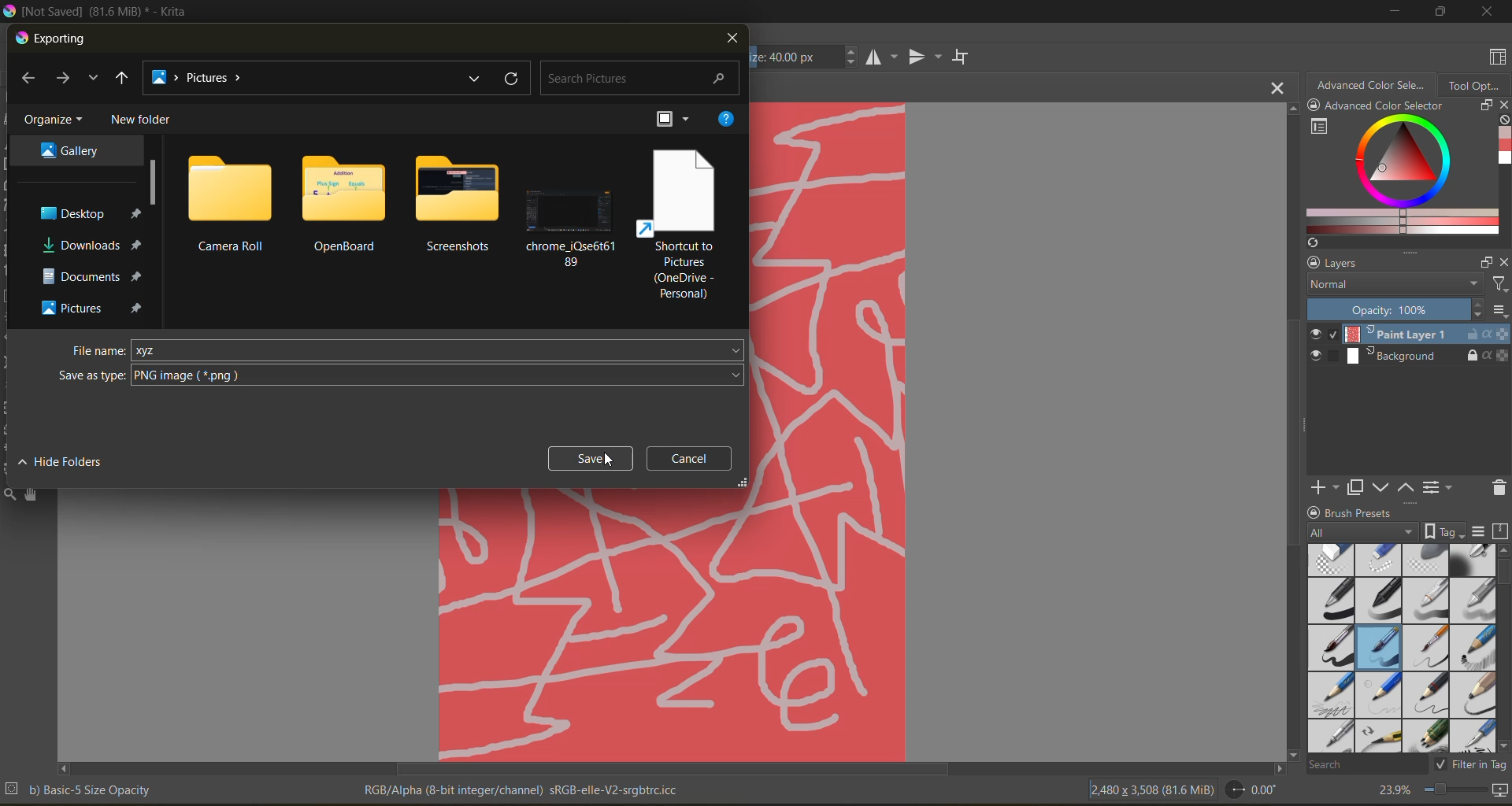  Describe the element at coordinates (91, 376) in the screenshot. I see `save as type` at that location.